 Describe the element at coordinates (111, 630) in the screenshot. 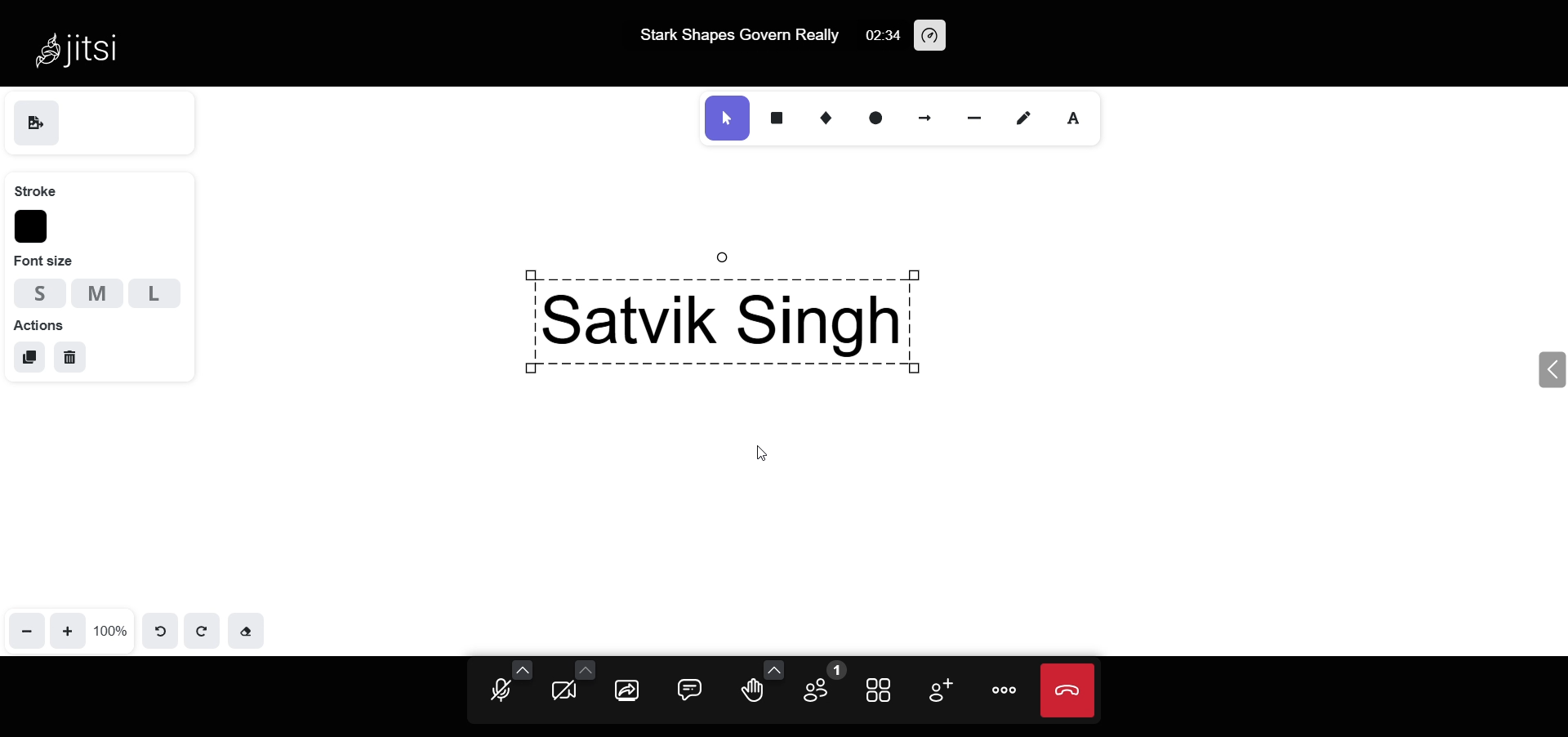

I see `100%` at that location.